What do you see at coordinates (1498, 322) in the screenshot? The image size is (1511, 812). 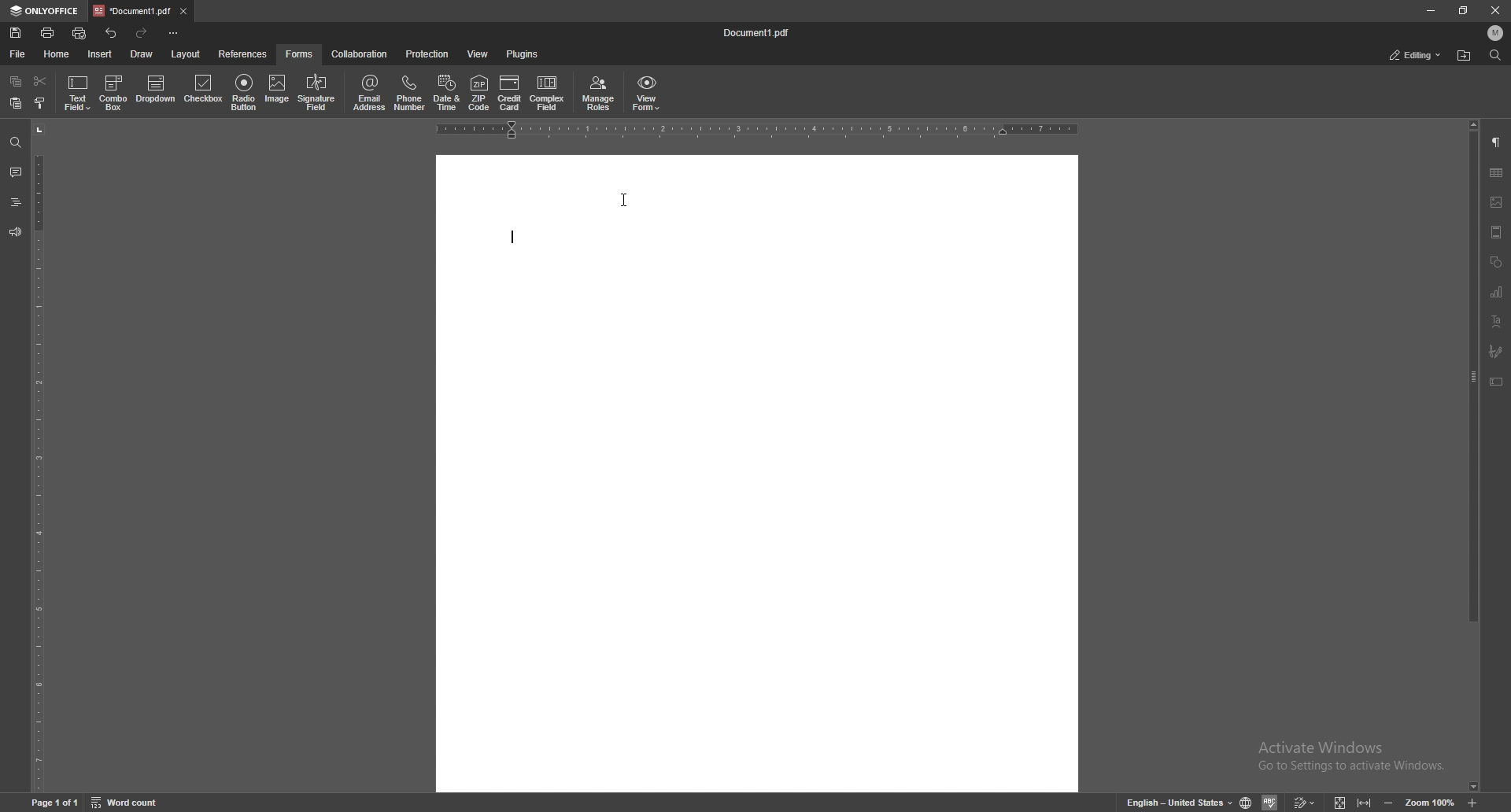 I see `text art` at bounding box center [1498, 322].